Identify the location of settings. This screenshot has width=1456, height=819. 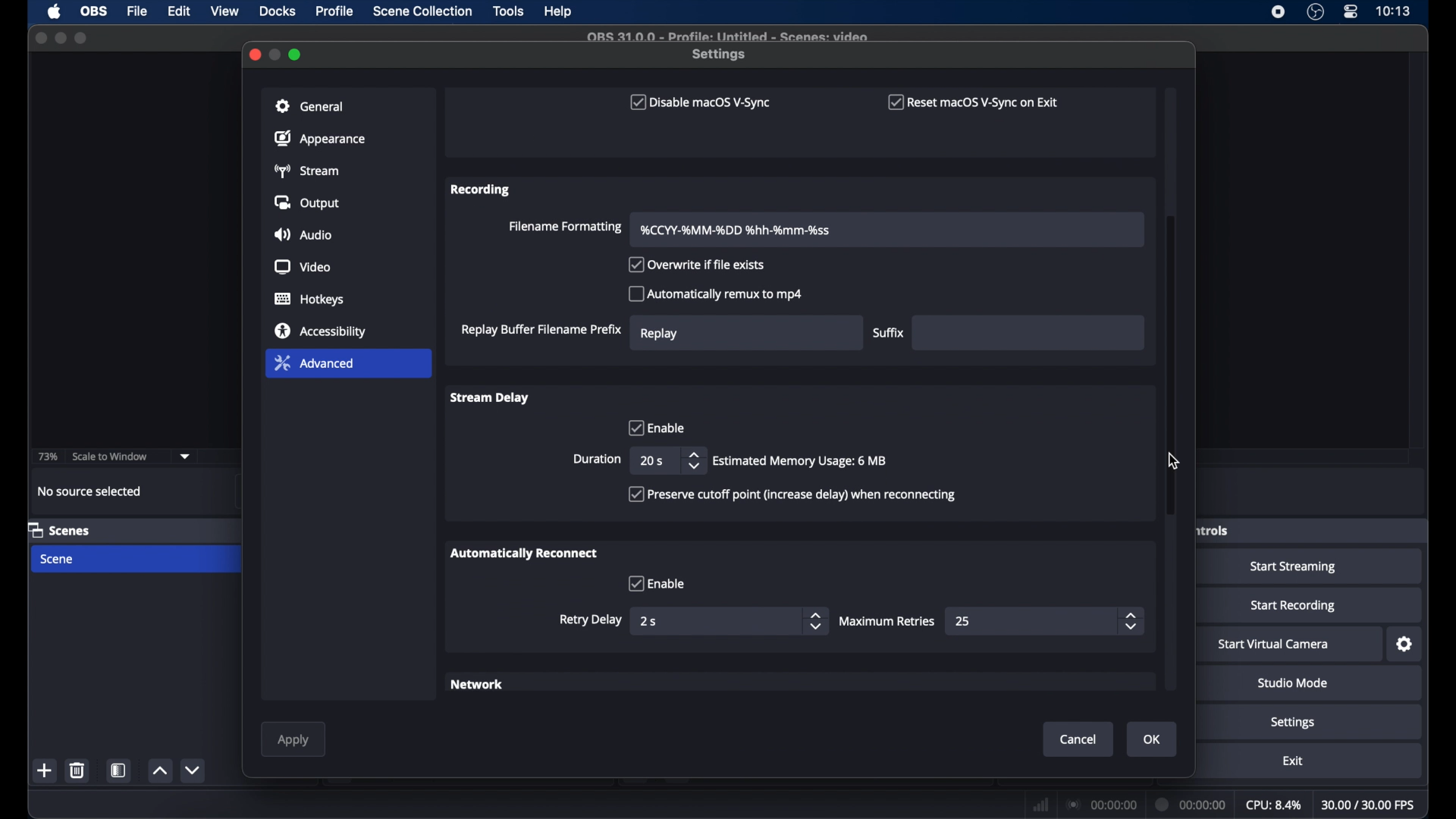
(720, 55).